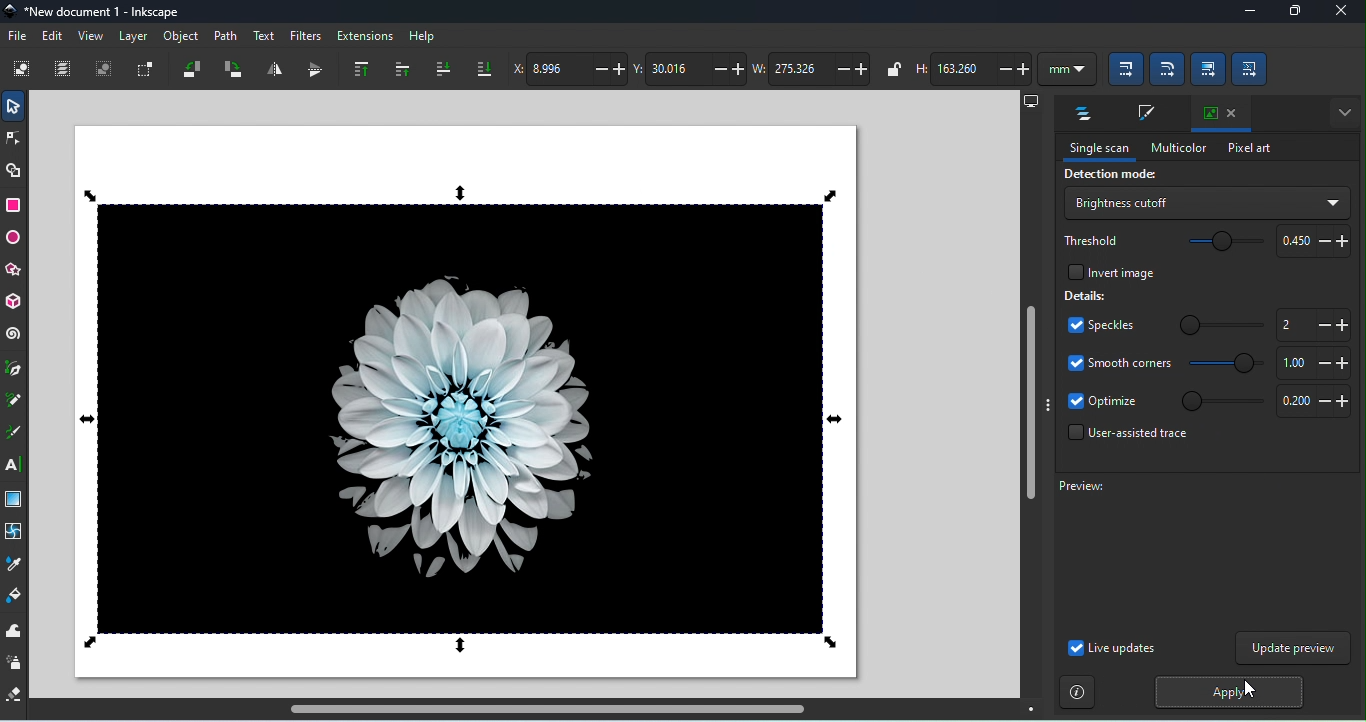 The width and height of the screenshot is (1366, 722). What do you see at coordinates (1194, 553) in the screenshot?
I see `Preview` at bounding box center [1194, 553].